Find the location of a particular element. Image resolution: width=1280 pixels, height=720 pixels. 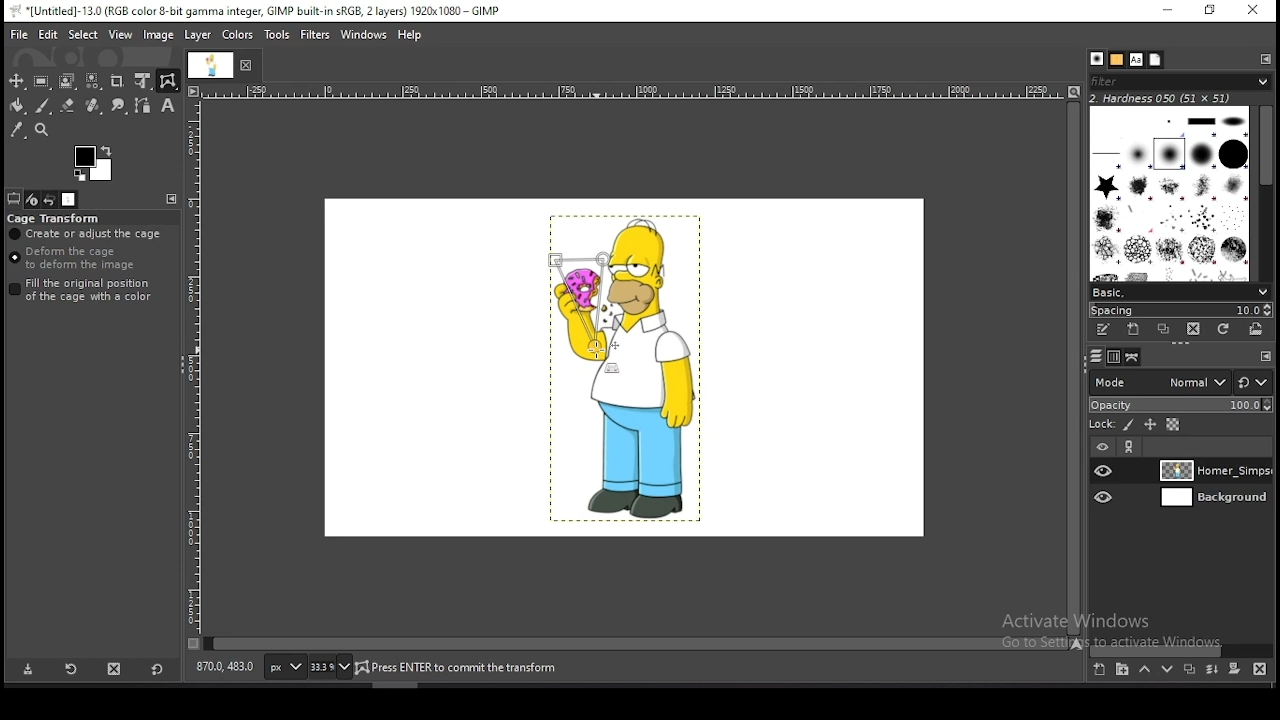

reset is located at coordinates (156, 671).